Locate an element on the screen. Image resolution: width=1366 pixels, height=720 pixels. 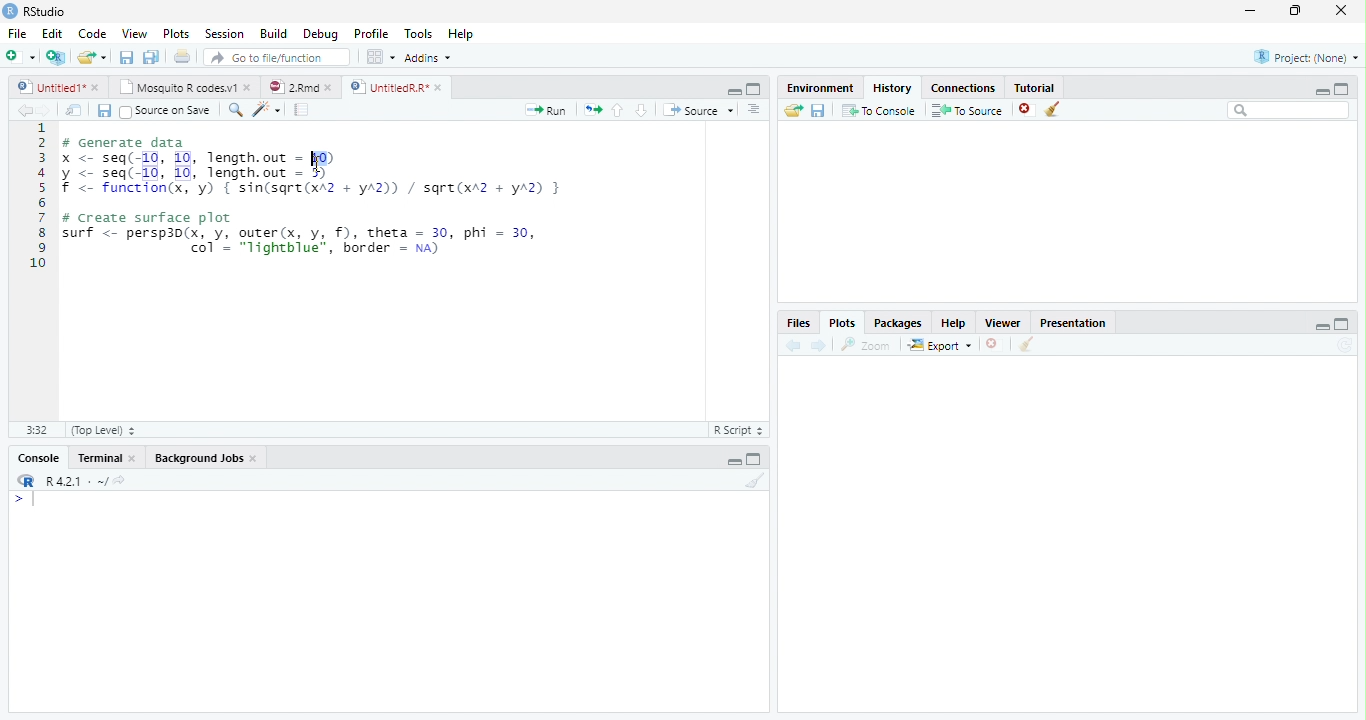
Open recent files is located at coordinates (104, 57).